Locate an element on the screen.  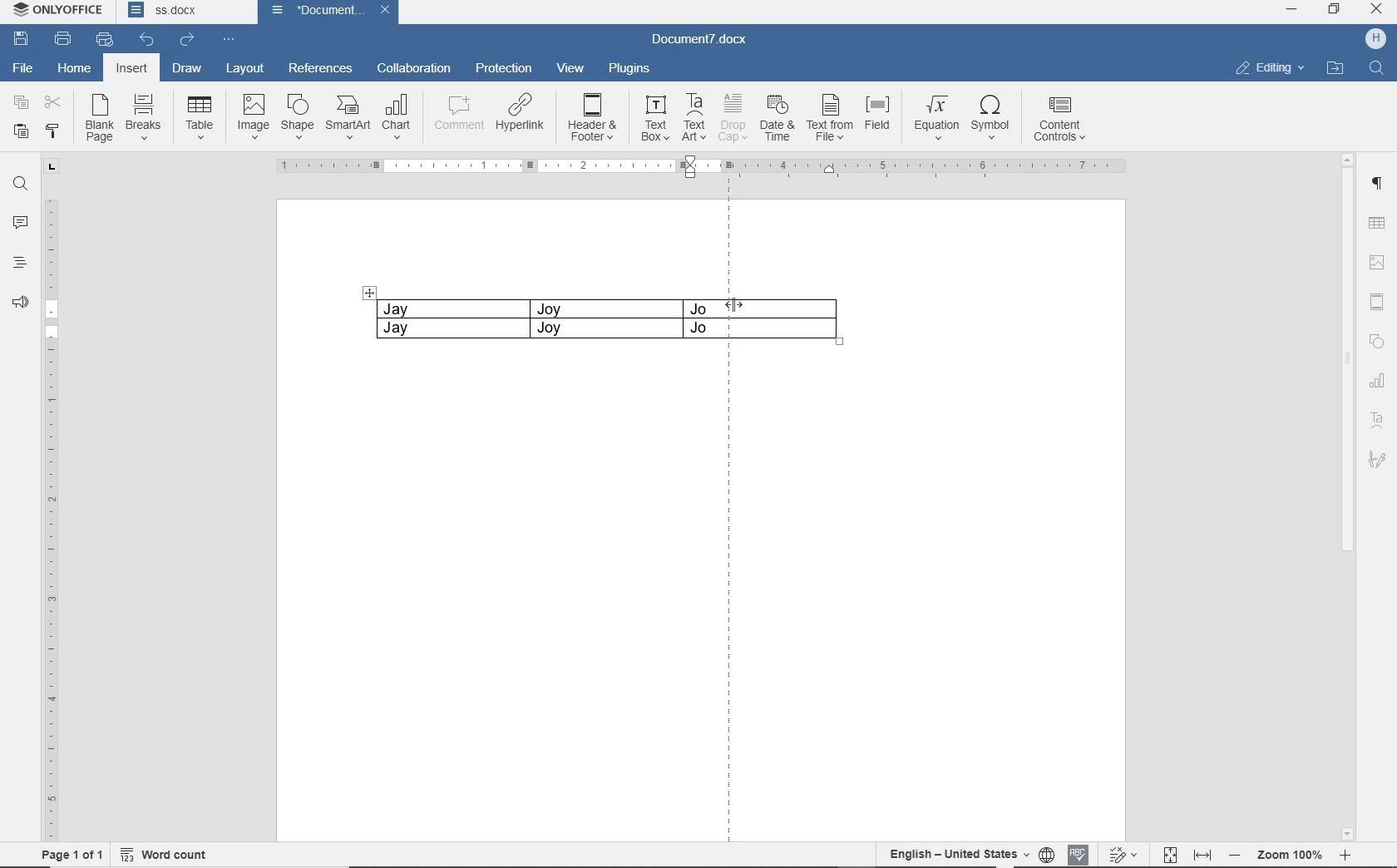
VIEW is located at coordinates (571, 67).